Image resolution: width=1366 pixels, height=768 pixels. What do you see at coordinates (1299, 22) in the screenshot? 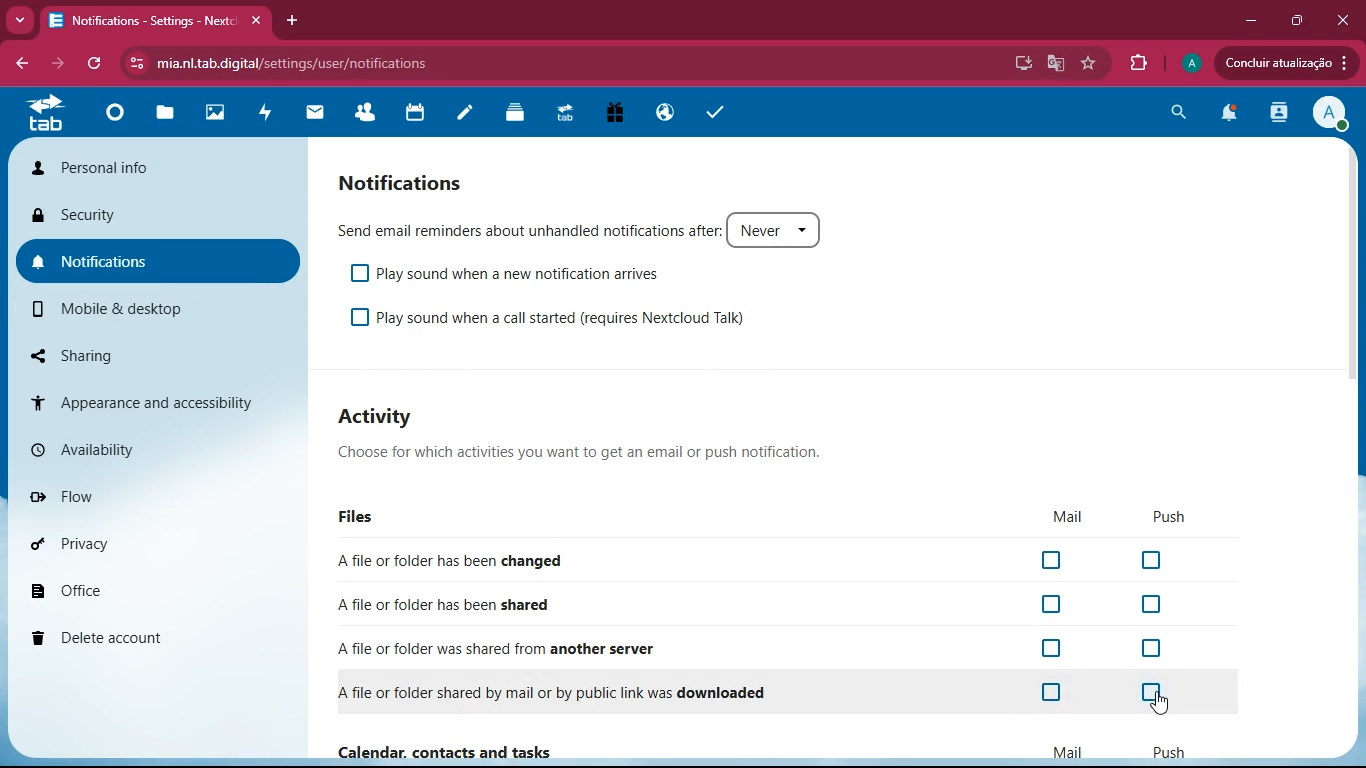
I see `maximize` at bounding box center [1299, 22].